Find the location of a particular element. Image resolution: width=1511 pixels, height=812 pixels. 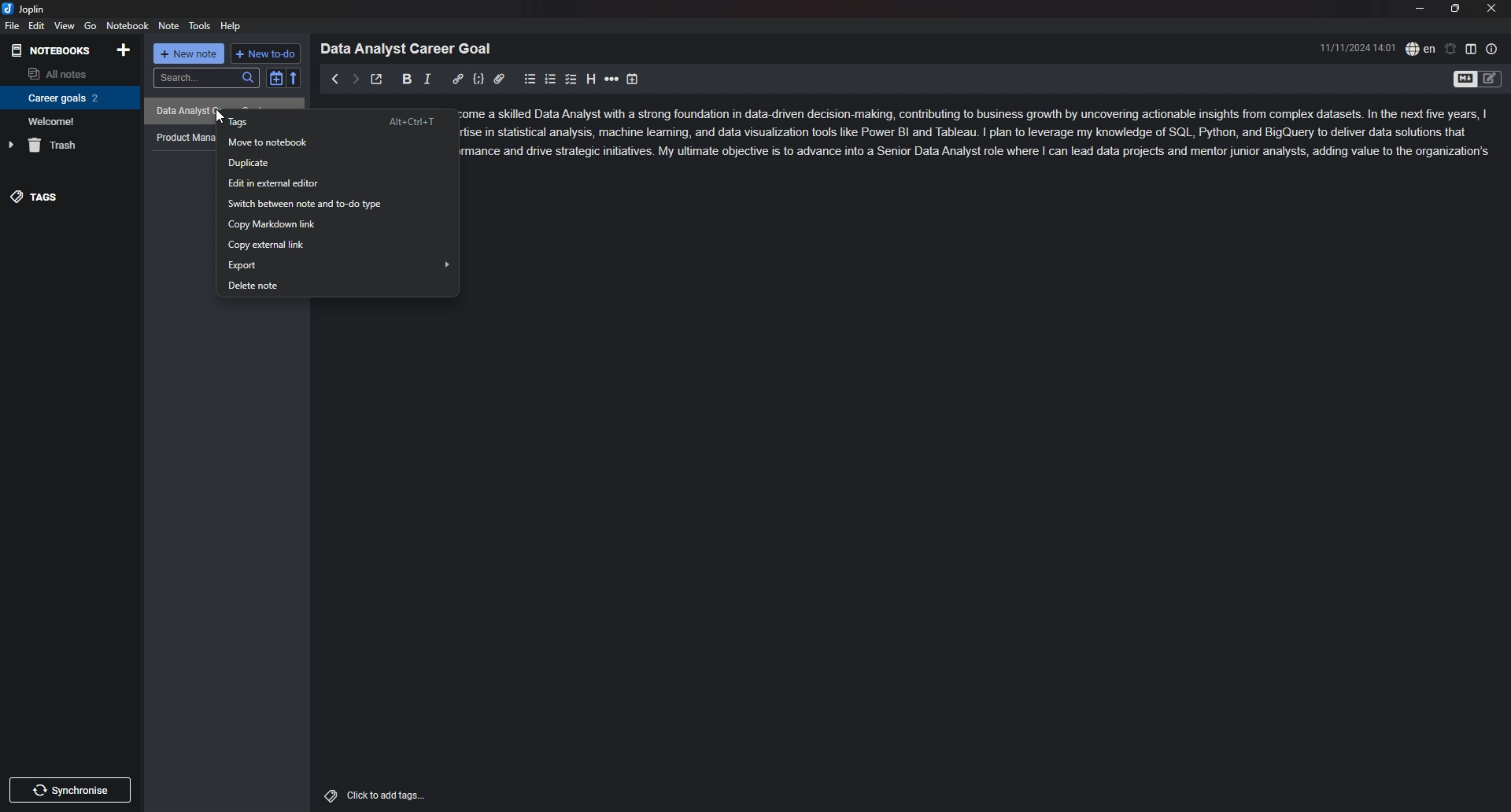

Click to add tags... is located at coordinates (386, 795).